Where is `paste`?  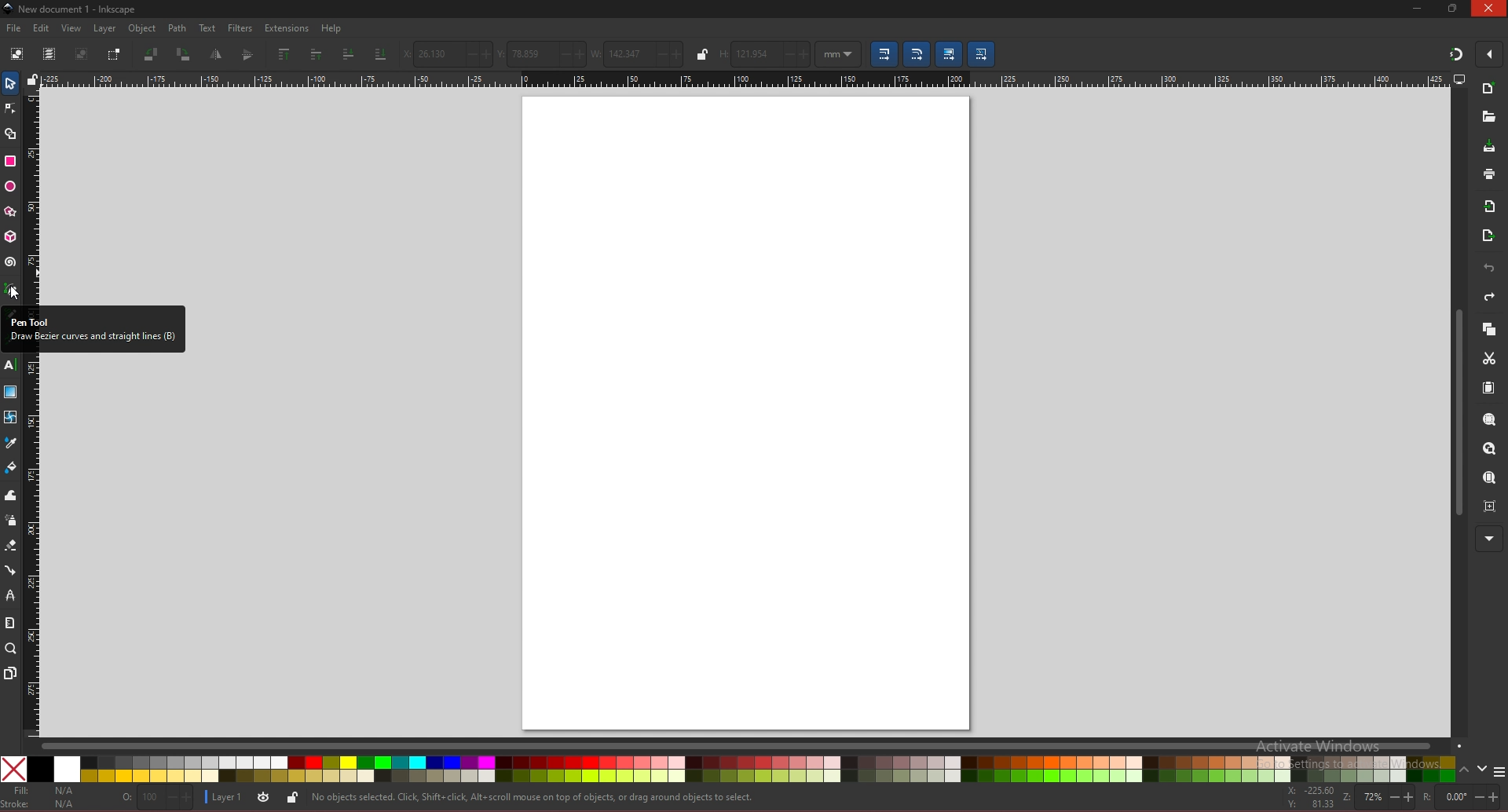
paste is located at coordinates (1488, 389).